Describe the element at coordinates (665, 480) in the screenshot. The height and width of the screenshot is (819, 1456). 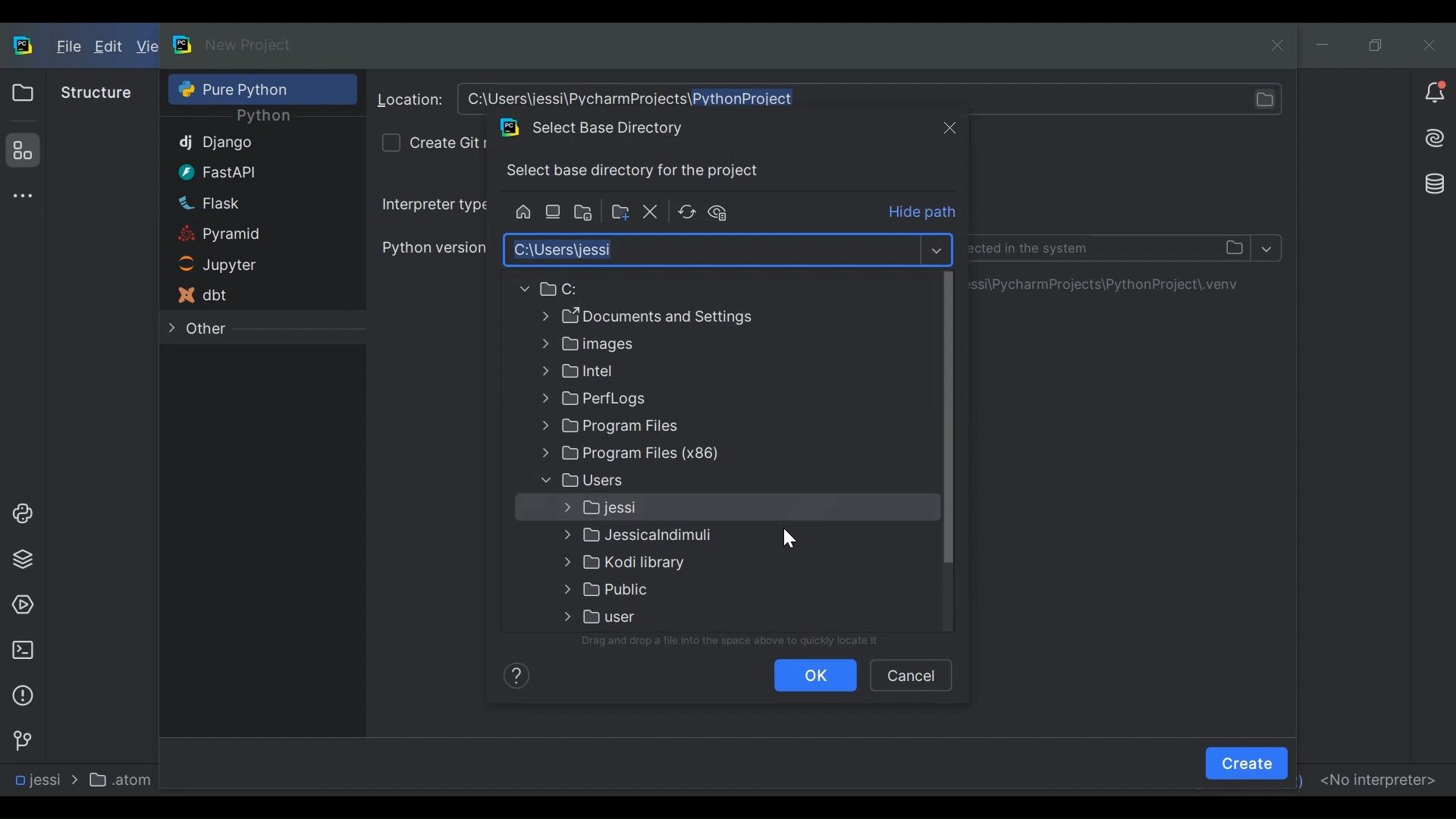
I see `` at that location.